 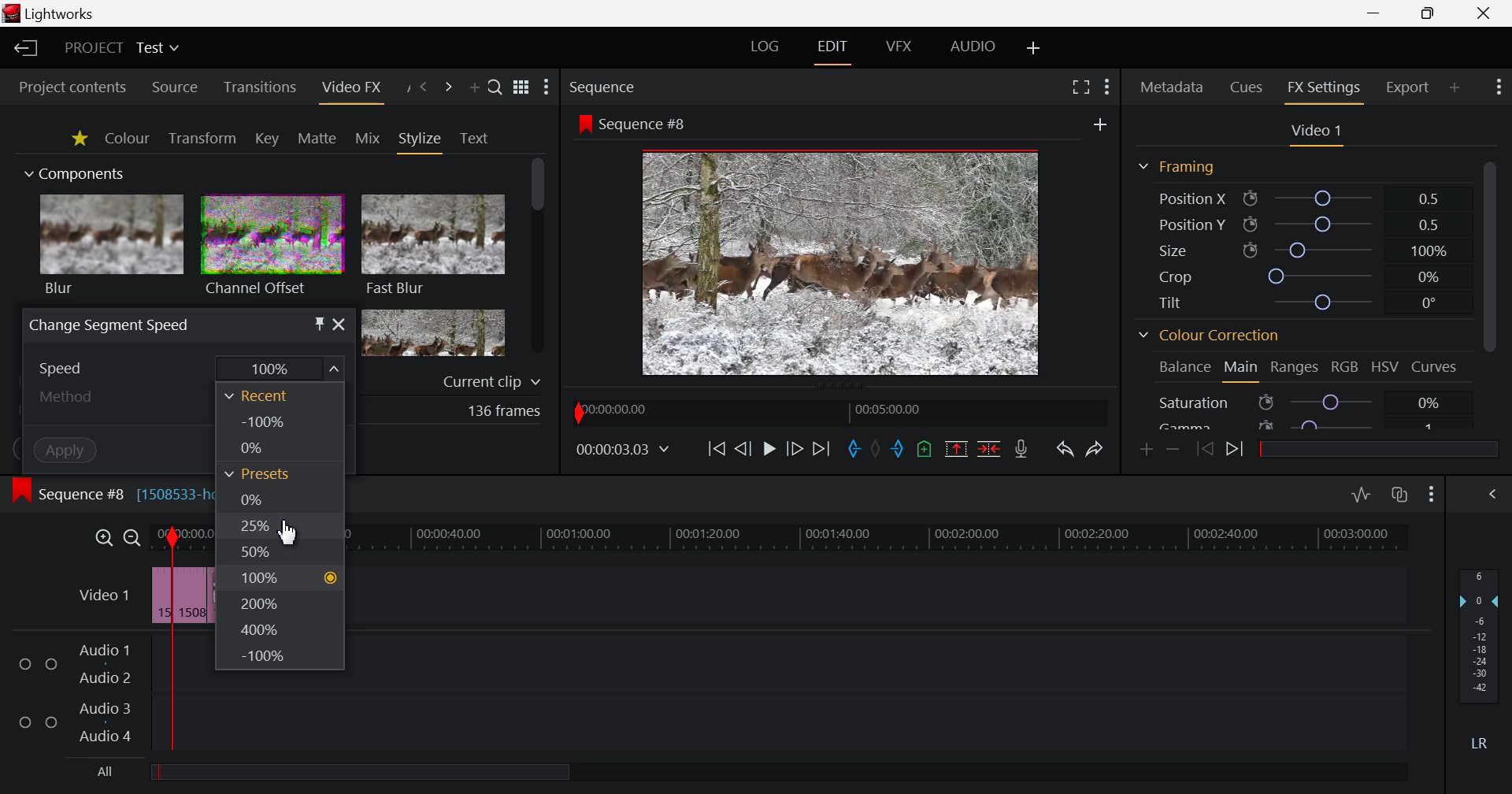 What do you see at coordinates (1436, 366) in the screenshot?
I see `Curves` at bounding box center [1436, 366].